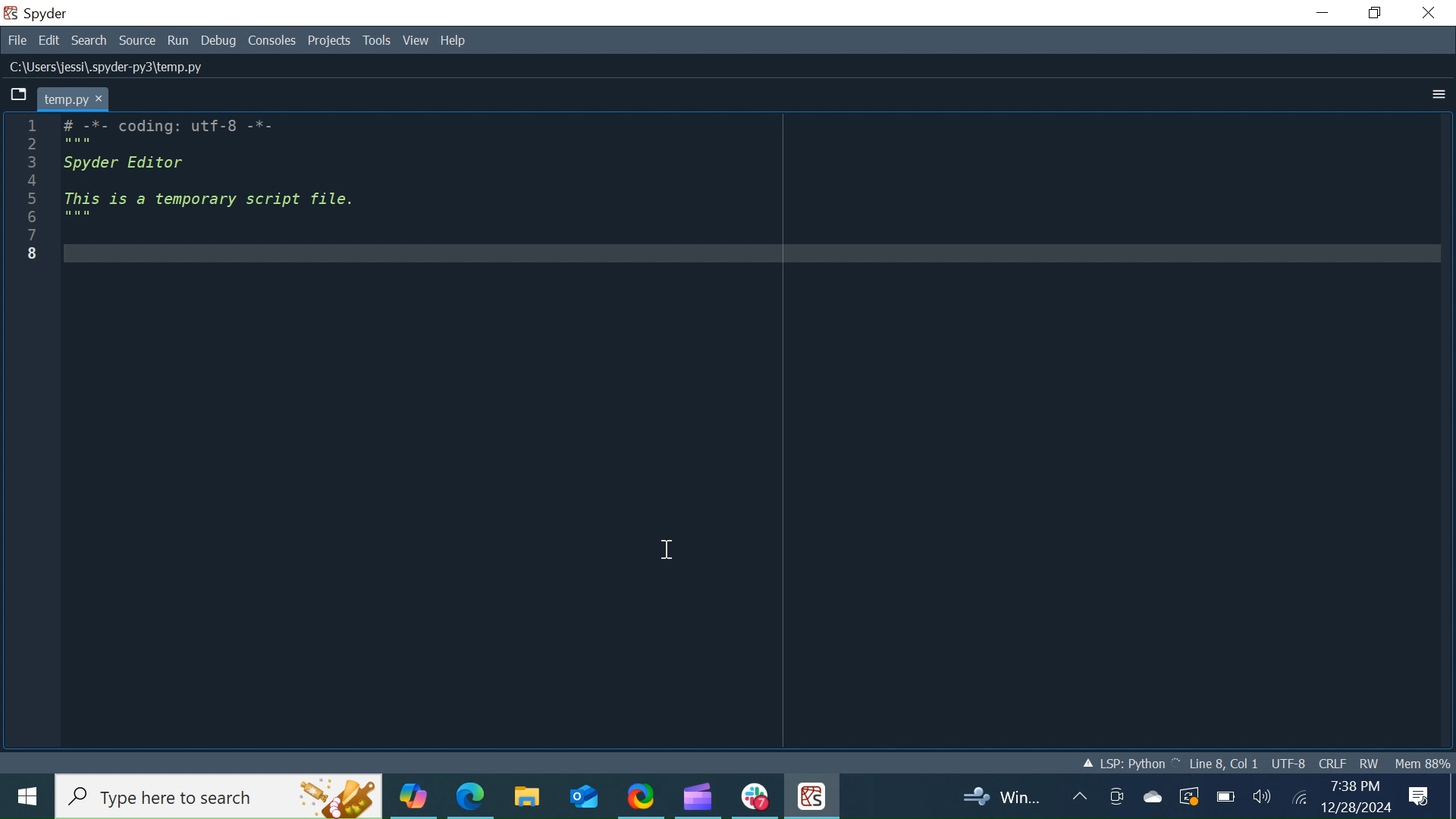 The width and height of the screenshot is (1456, 819). Describe the element at coordinates (1152, 796) in the screenshot. I see `OneDrive` at that location.